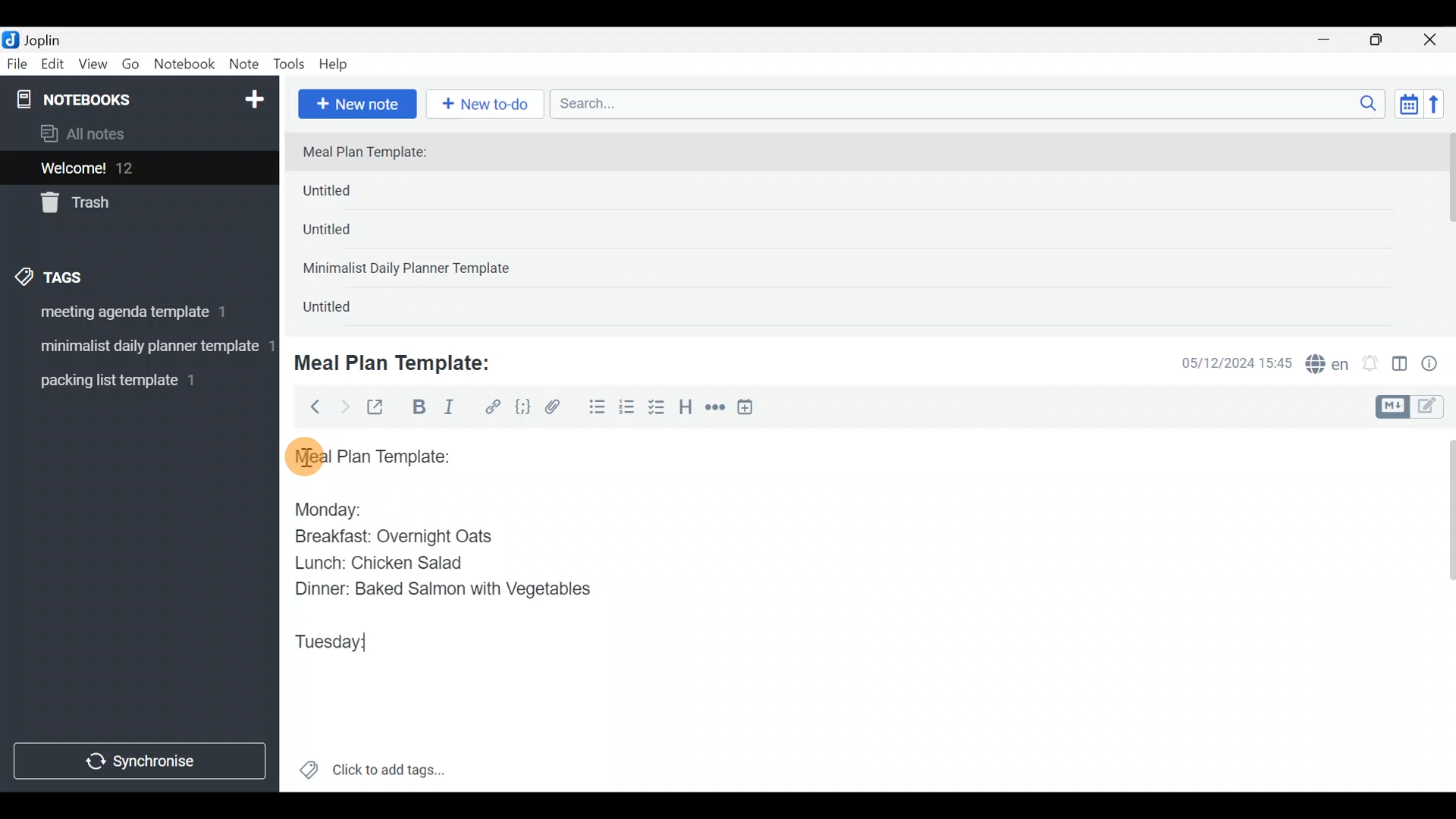  Describe the element at coordinates (1385, 40) in the screenshot. I see `Maximize` at that location.